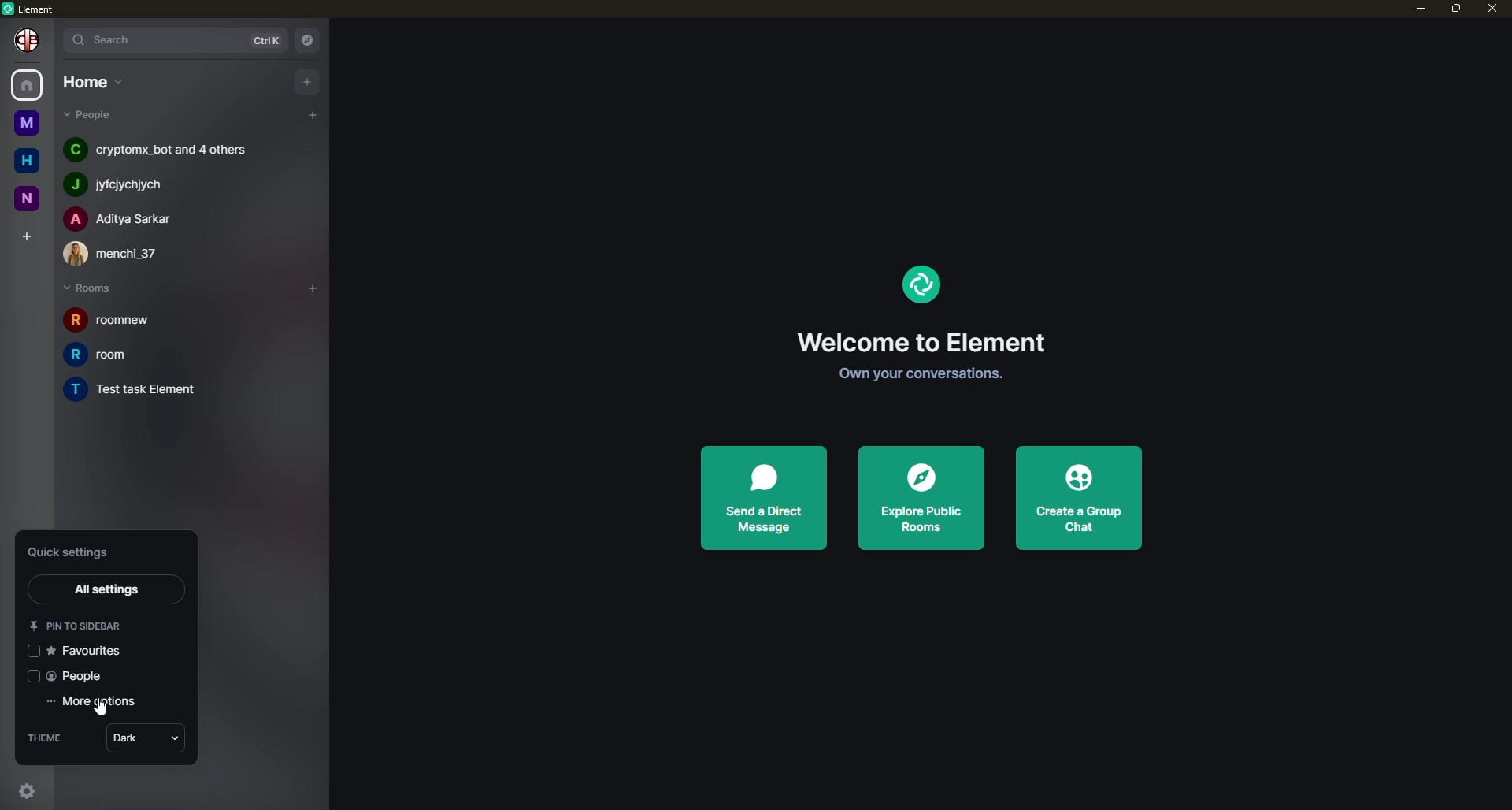 Image resolution: width=1512 pixels, height=810 pixels. Describe the element at coordinates (29, 84) in the screenshot. I see `home` at that location.